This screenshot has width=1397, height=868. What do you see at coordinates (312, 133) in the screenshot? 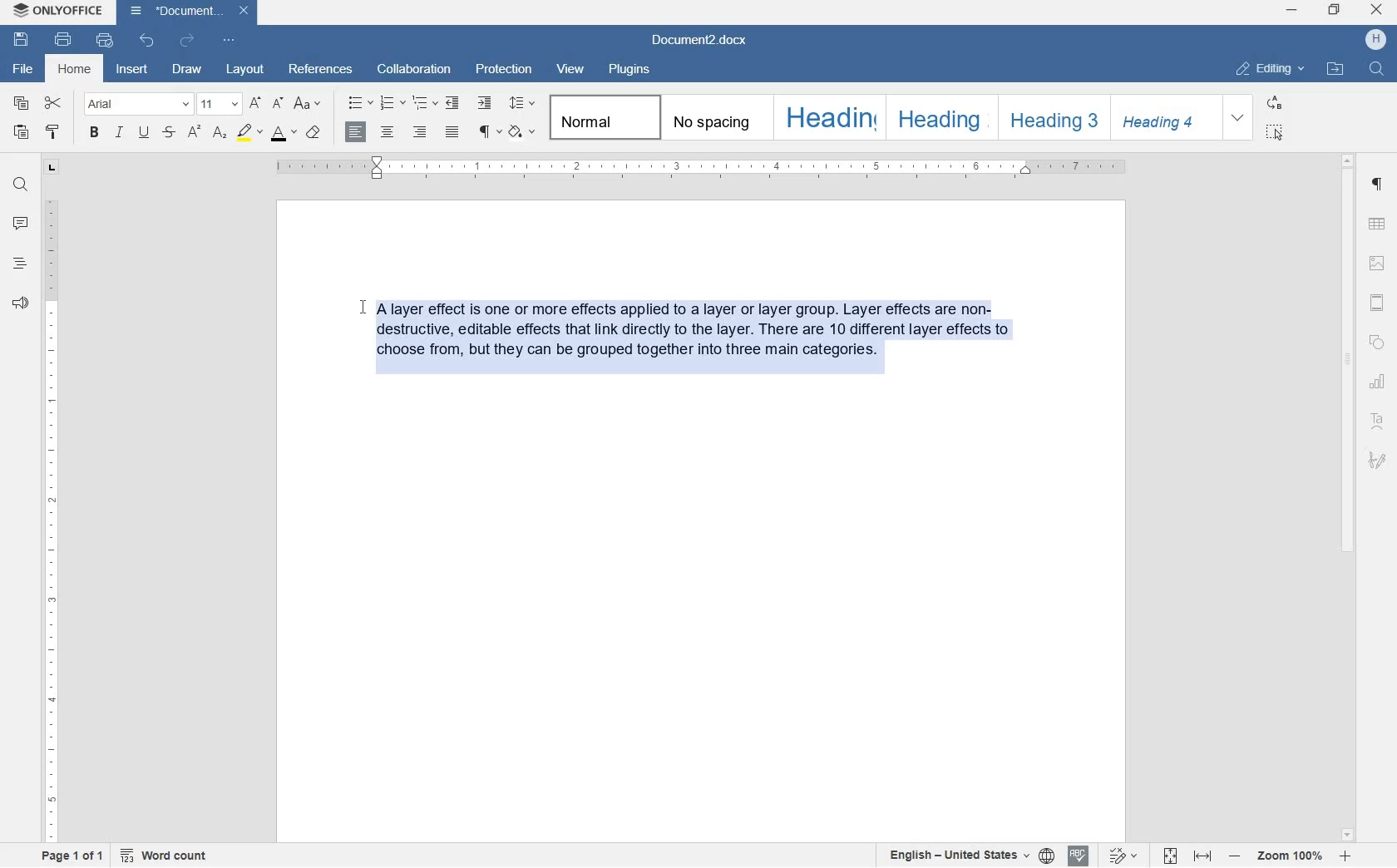
I see `clear style` at bounding box center [312, 133].